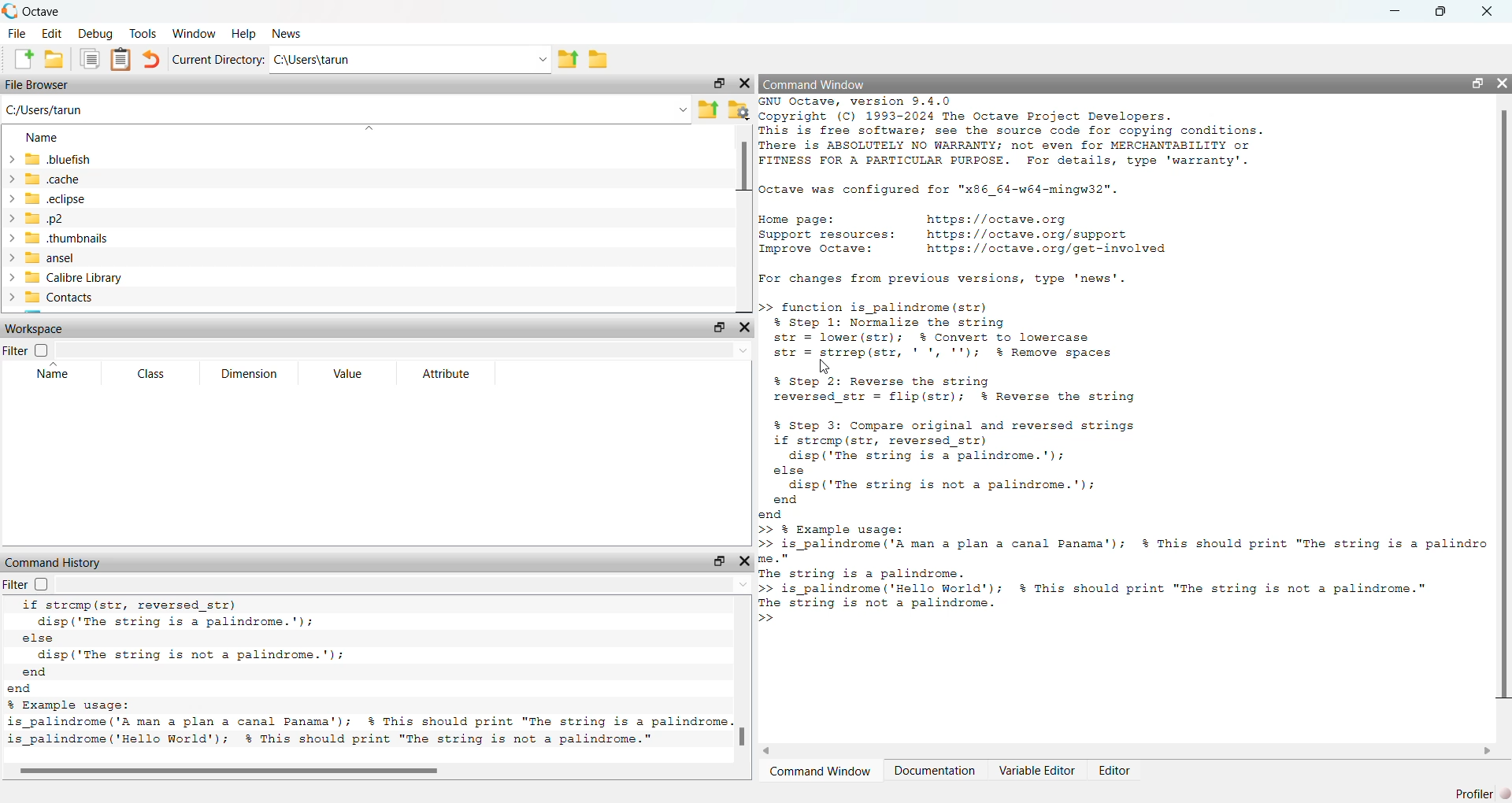 The image size is (1512, 803). Describe the element at coordinates (9, 9) in the screenshot. I see `logo` at that location.